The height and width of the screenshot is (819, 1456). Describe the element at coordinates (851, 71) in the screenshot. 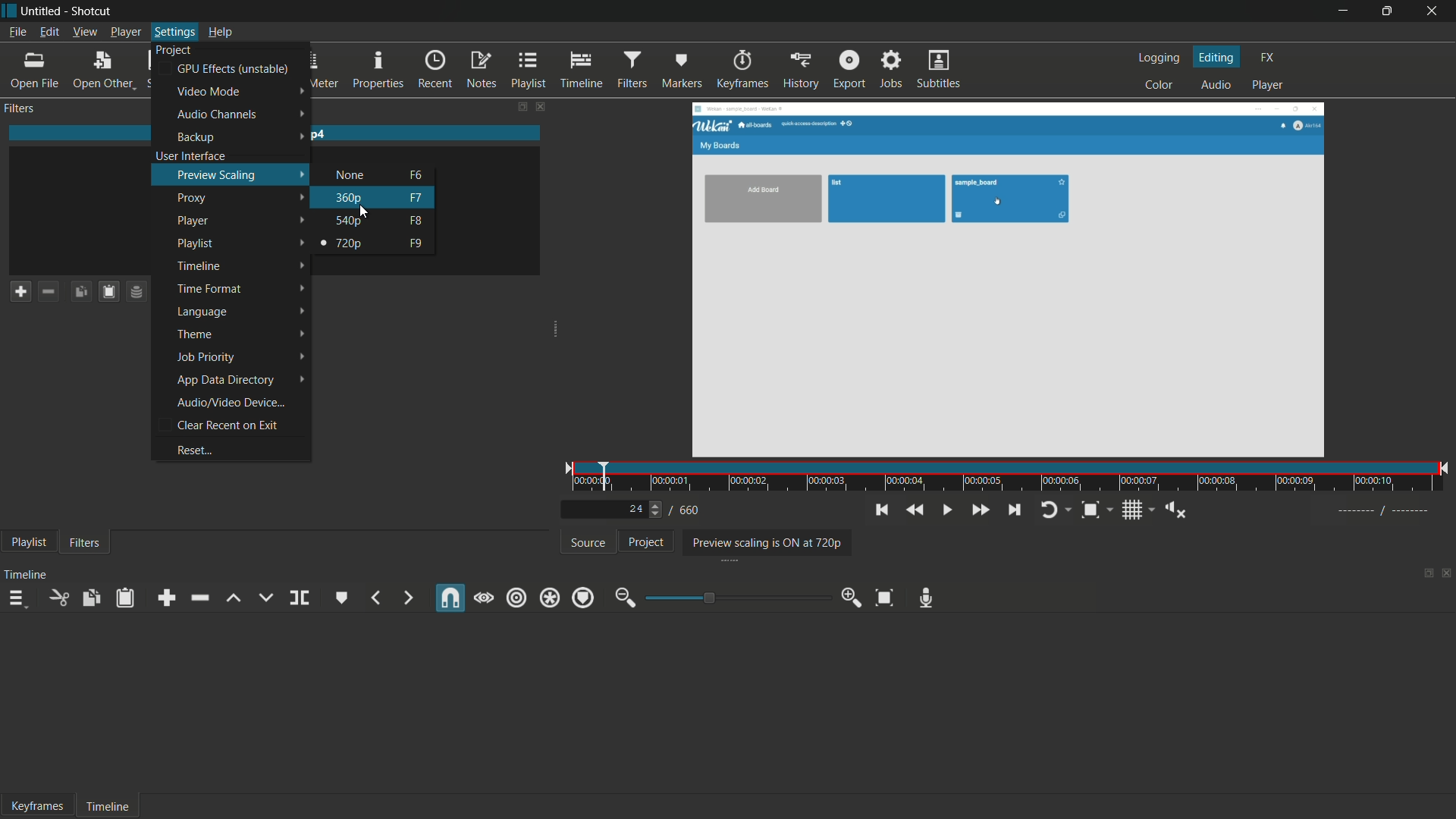

I see `export` at that location.